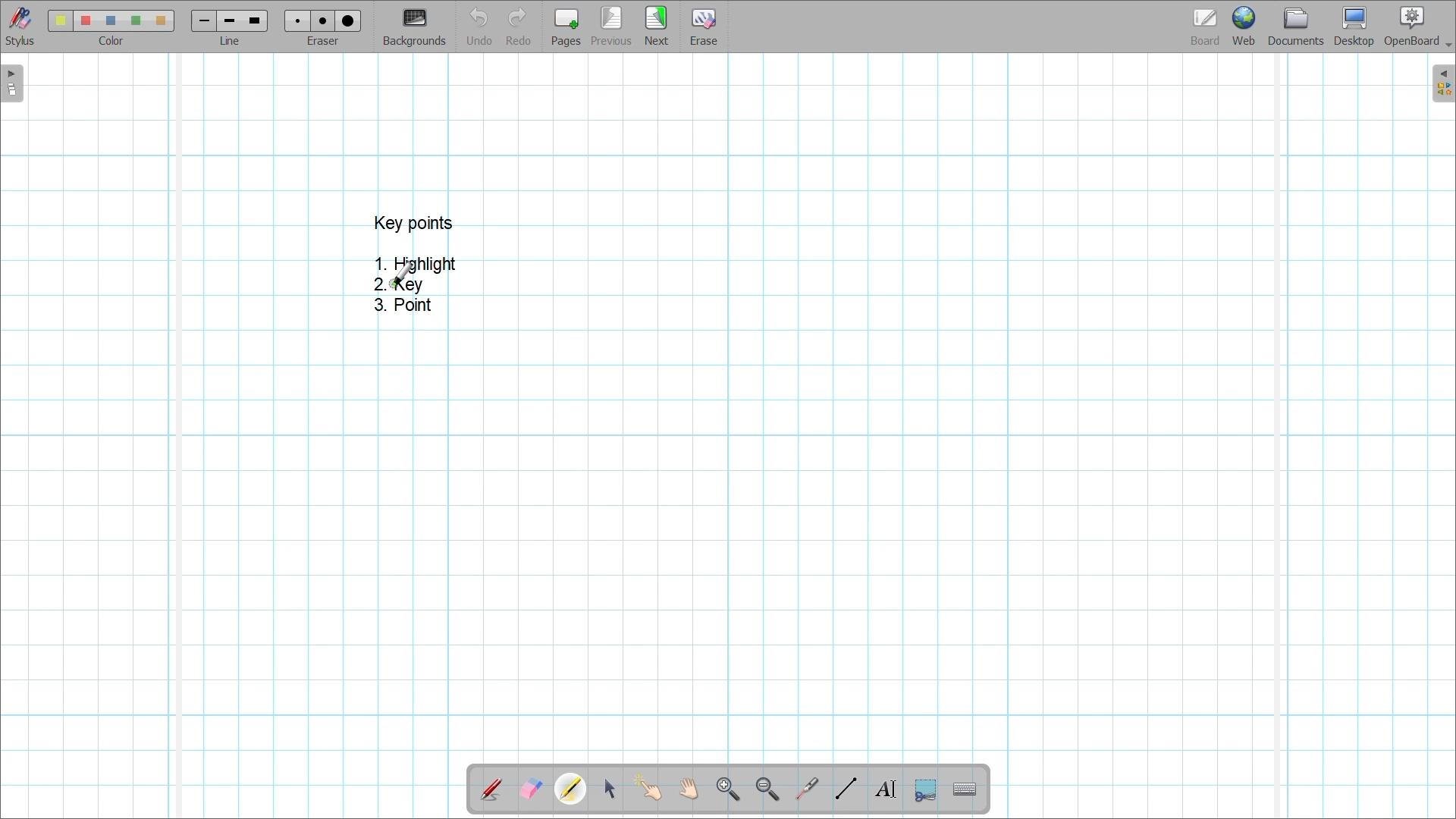 Image resolution: width=1456 pixels, height=819 pixels. Describe the element at coordinates (768, 790) in the screenshot. I see `Zoom out` at that location.